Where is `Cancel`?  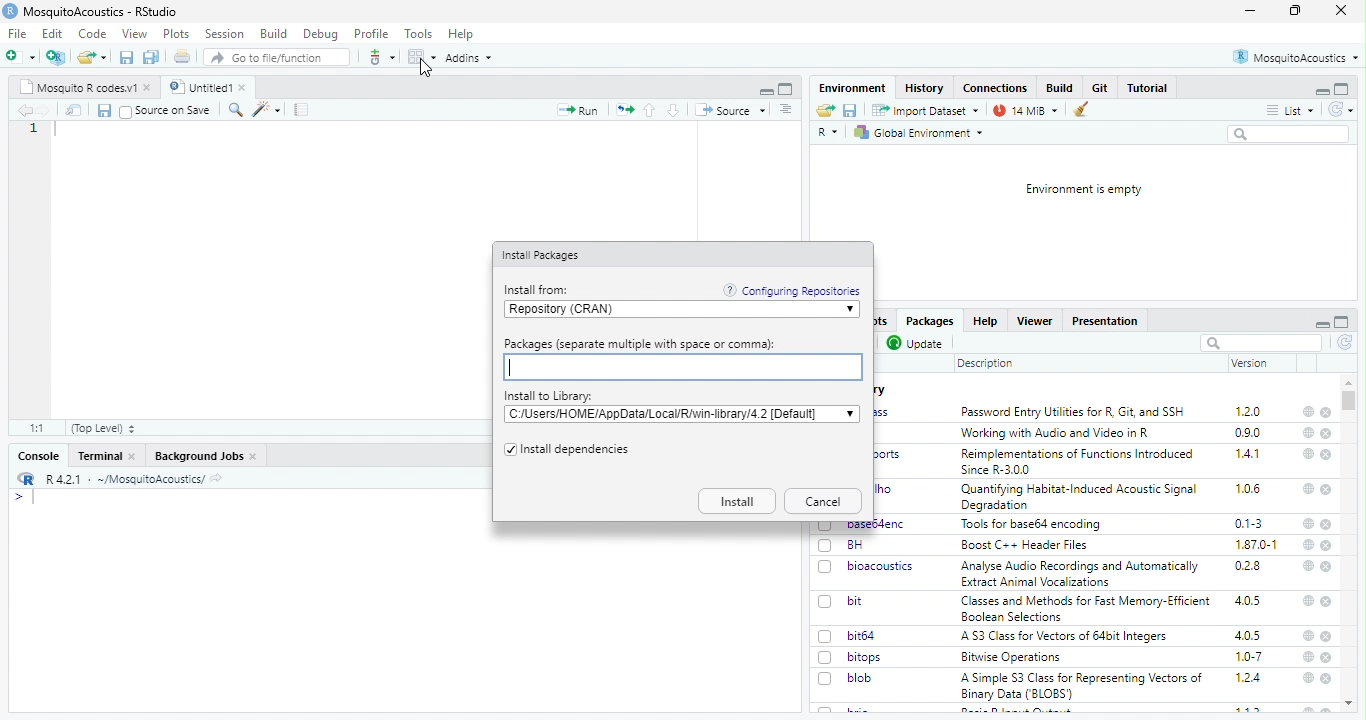 Cancel is located at coordinates (824, 501).